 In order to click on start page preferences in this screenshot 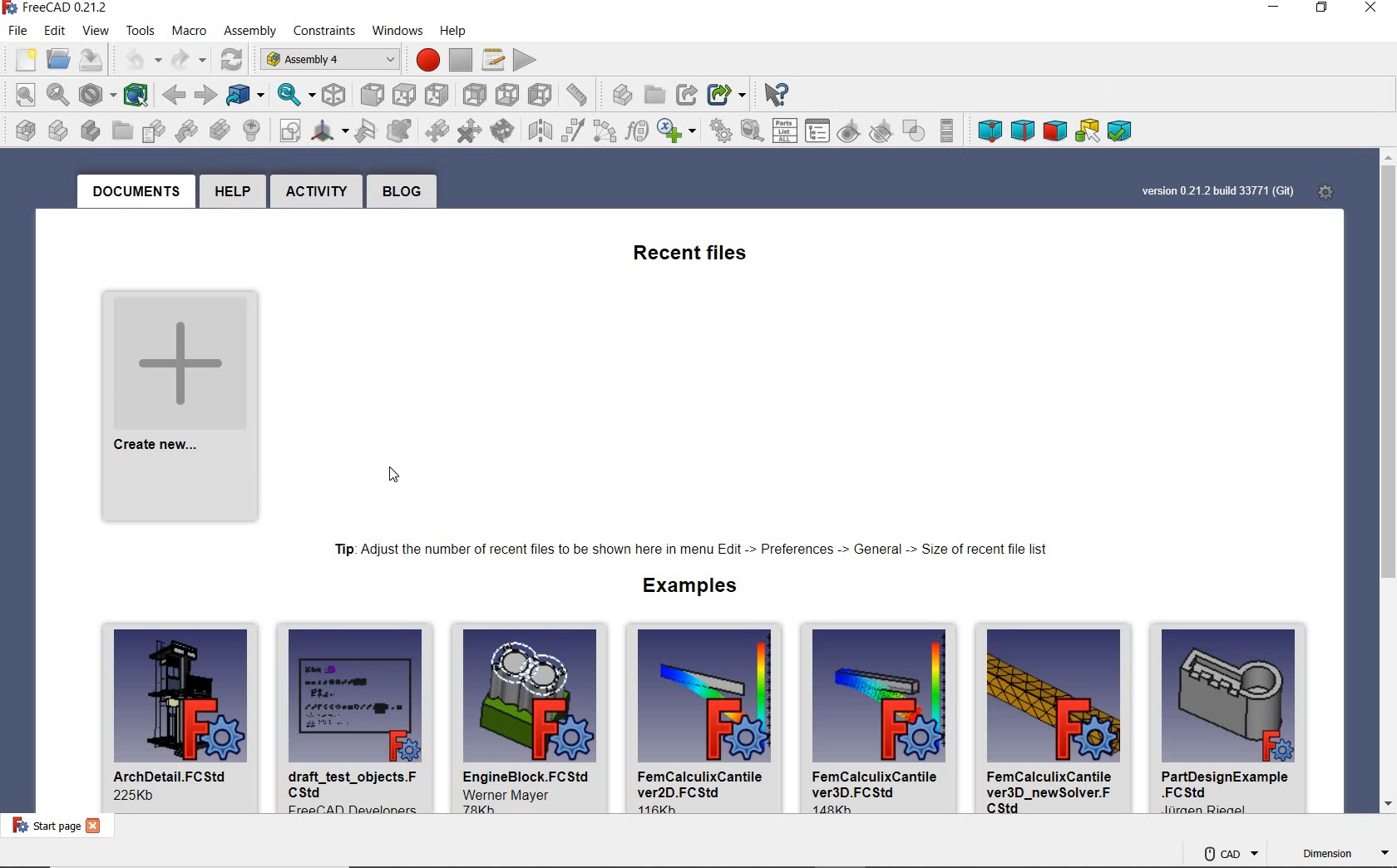, I will do `click(1334, 189)`.